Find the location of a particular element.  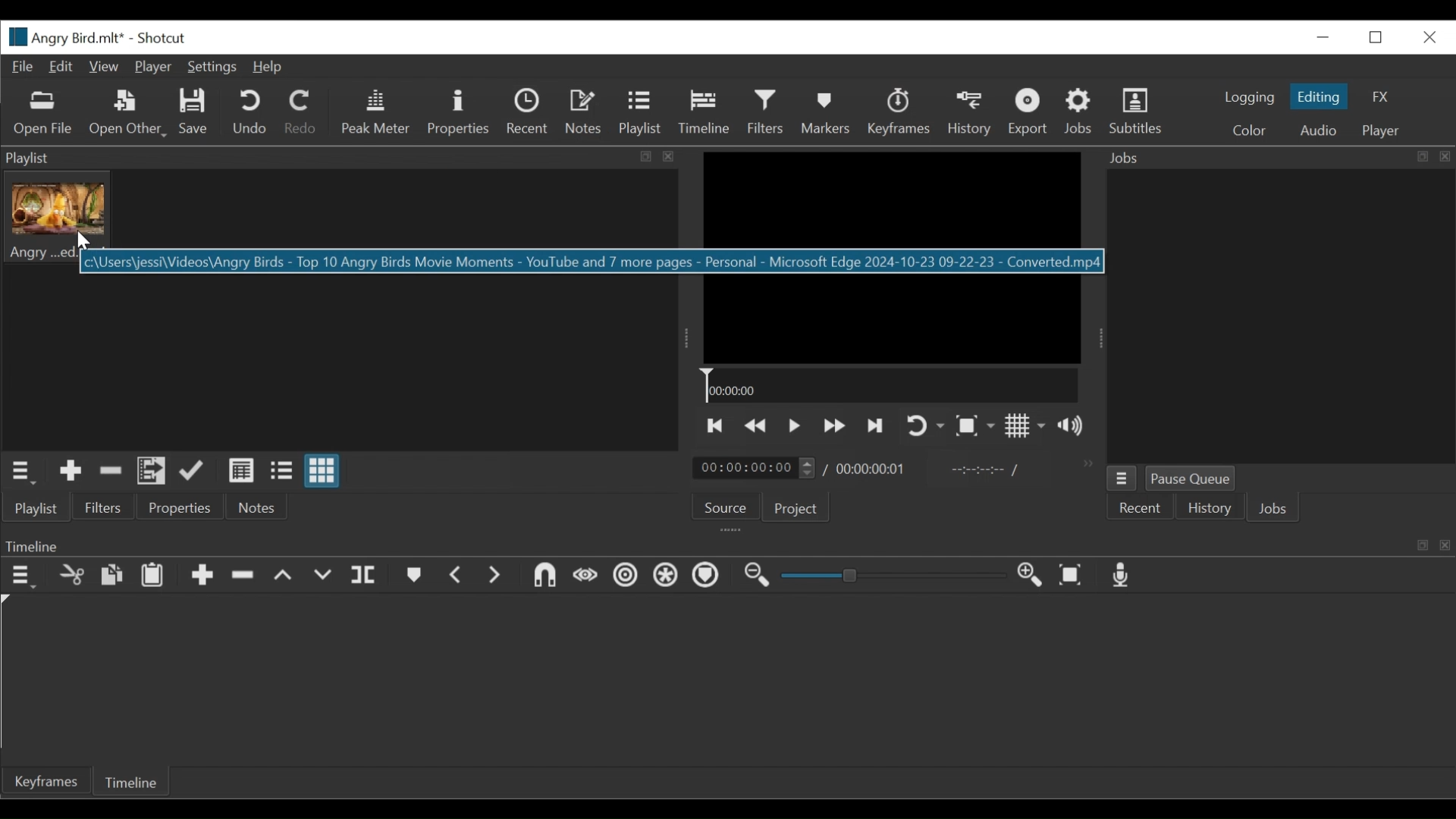

History is located at coordinates (970, 113).